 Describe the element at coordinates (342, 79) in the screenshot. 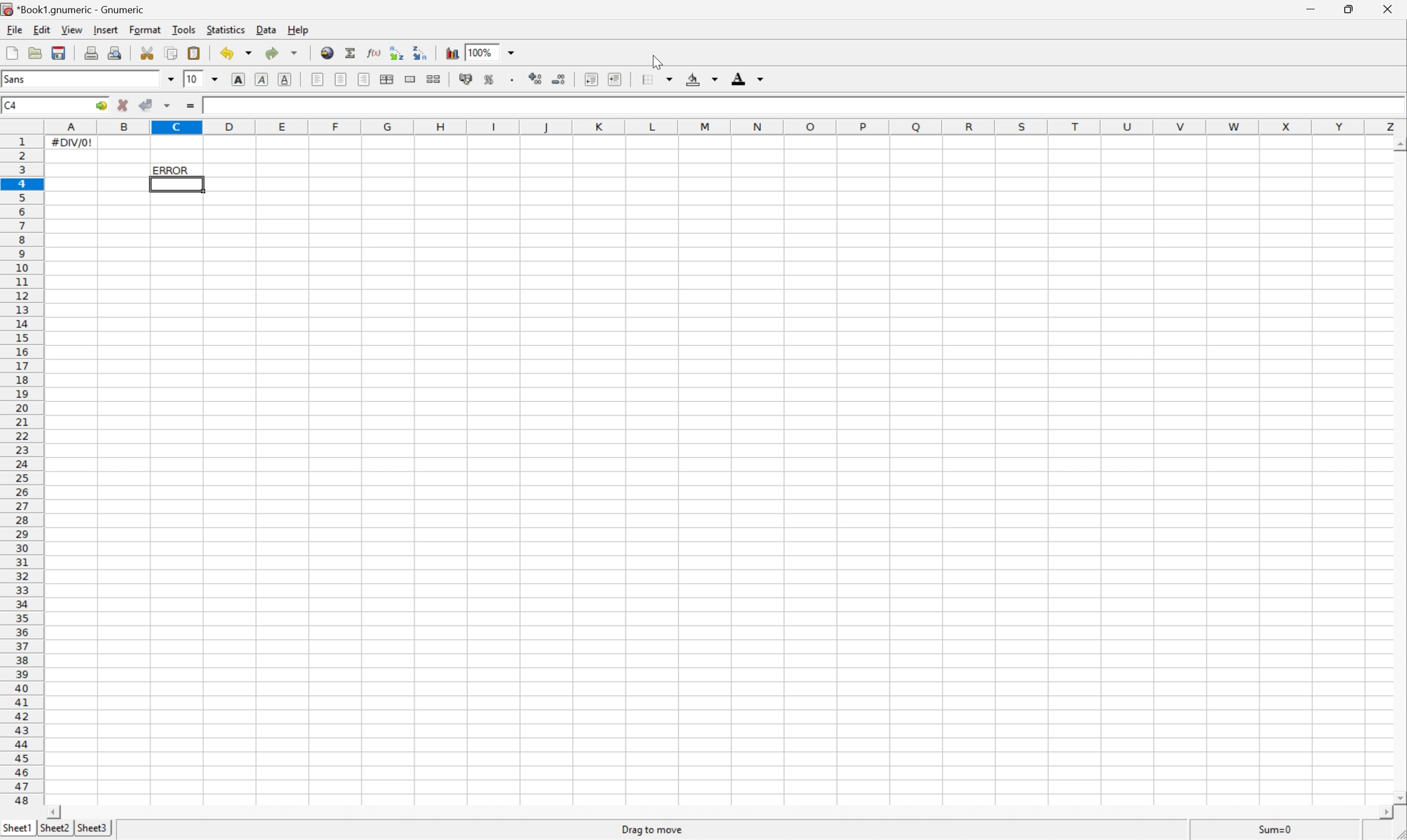

I see `center horizontally` at that location.